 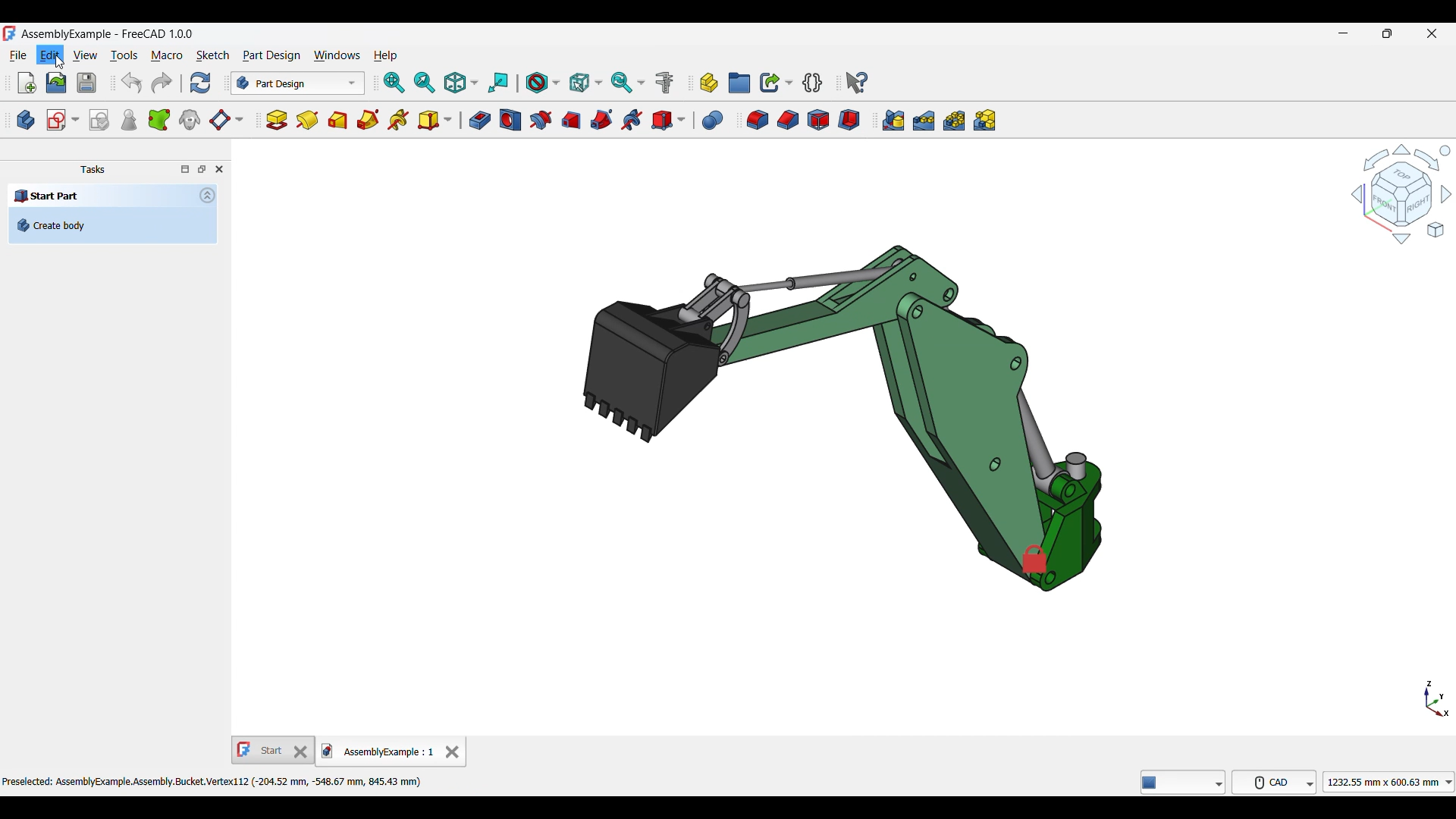 I want to click on Current image, so click(x=843, y=418).